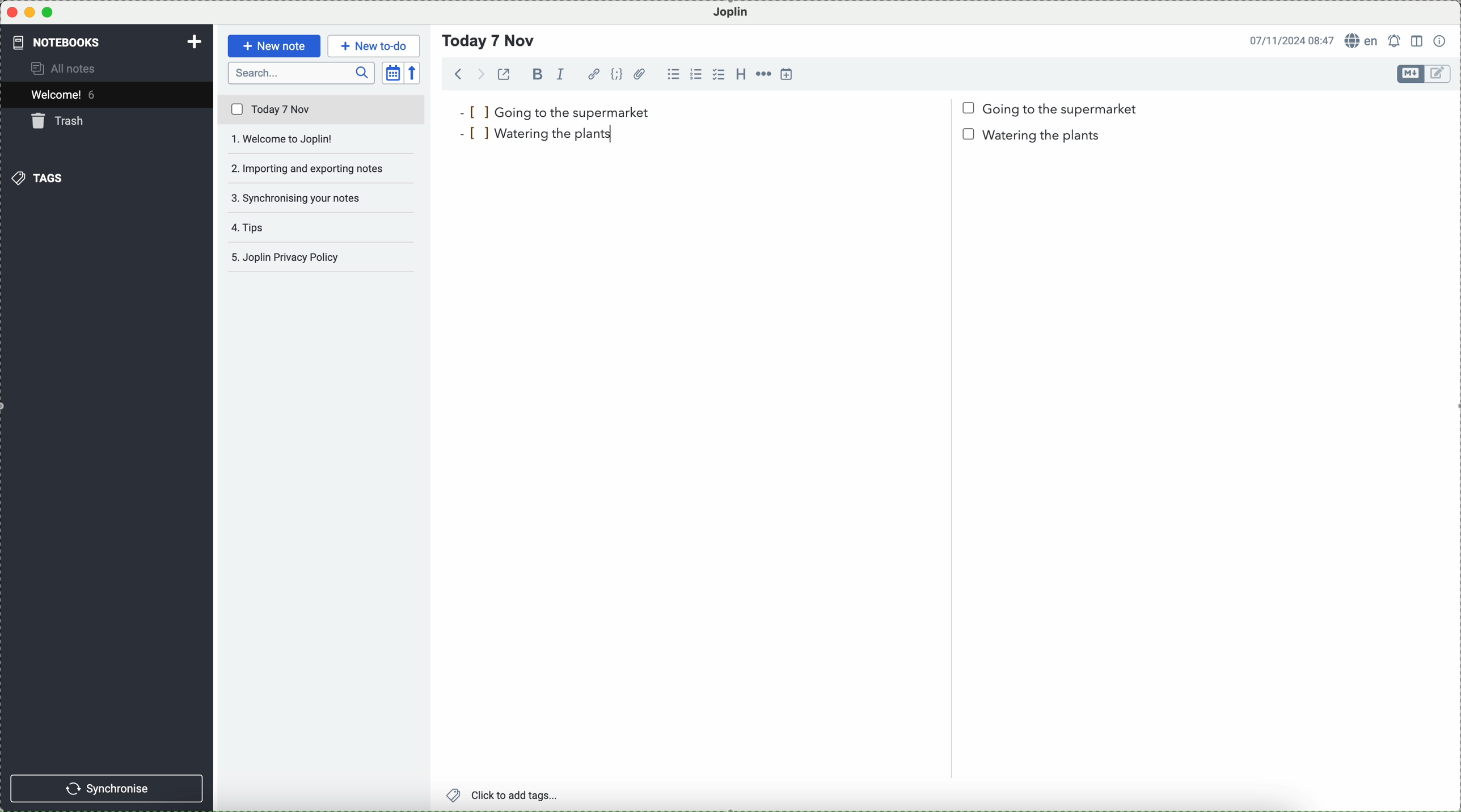  What do you see at coordinates (67, 94) in the screenshot?
I see `welcome! 6` at bounding box center [67, 94].